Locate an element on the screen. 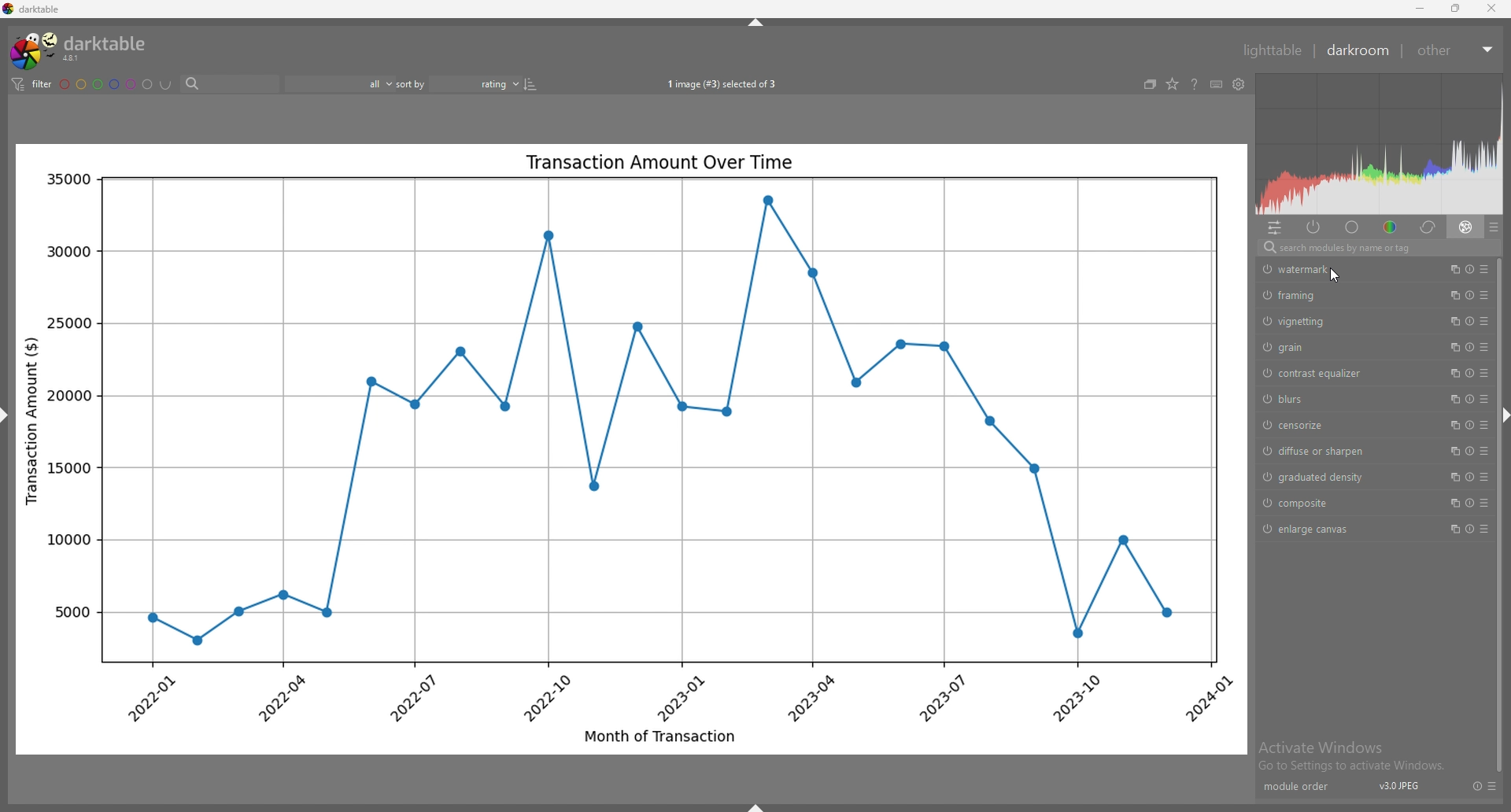  switch off is located at coordinates (1268, 476).